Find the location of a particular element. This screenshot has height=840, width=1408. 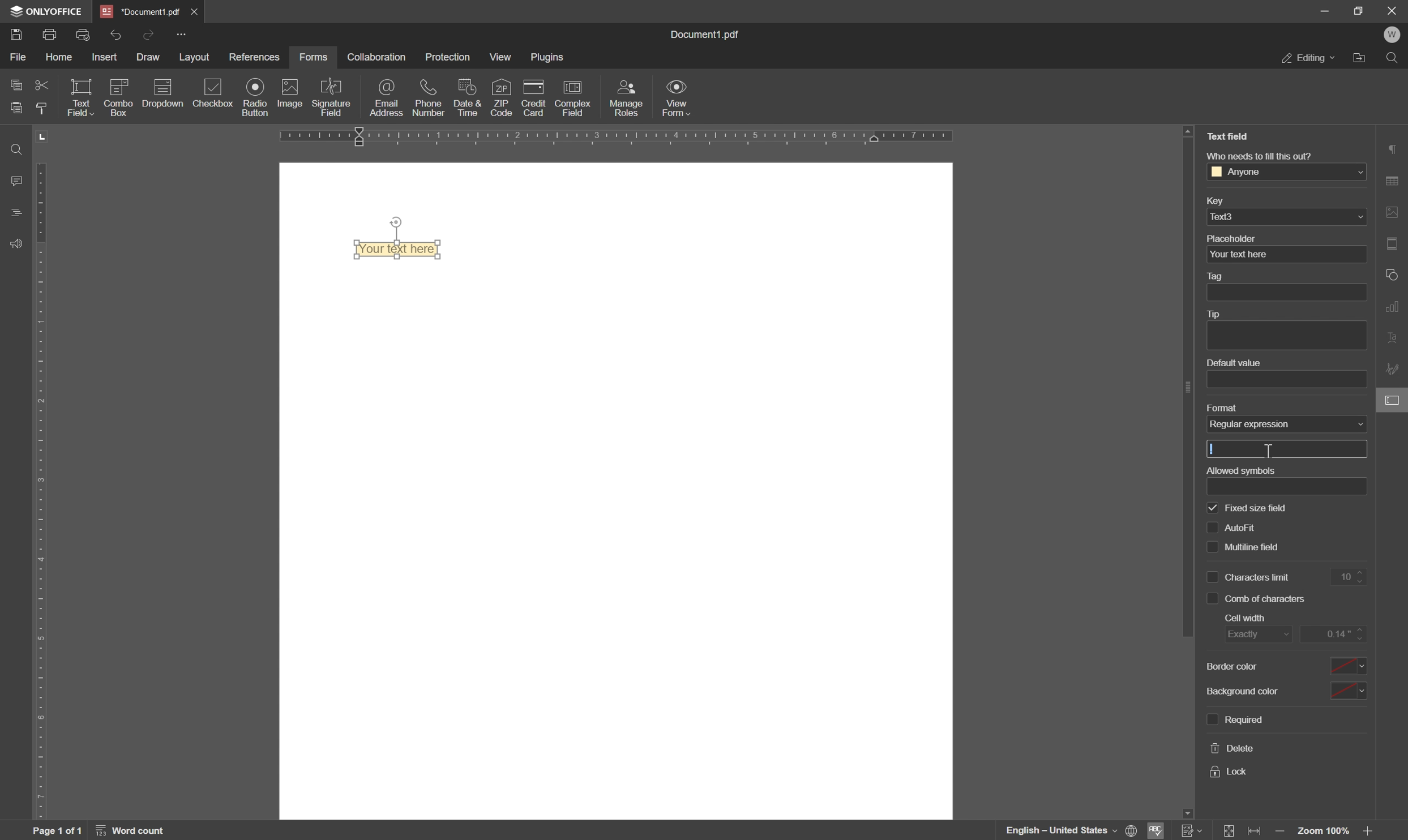

cut is located at coordinates (41, 84).